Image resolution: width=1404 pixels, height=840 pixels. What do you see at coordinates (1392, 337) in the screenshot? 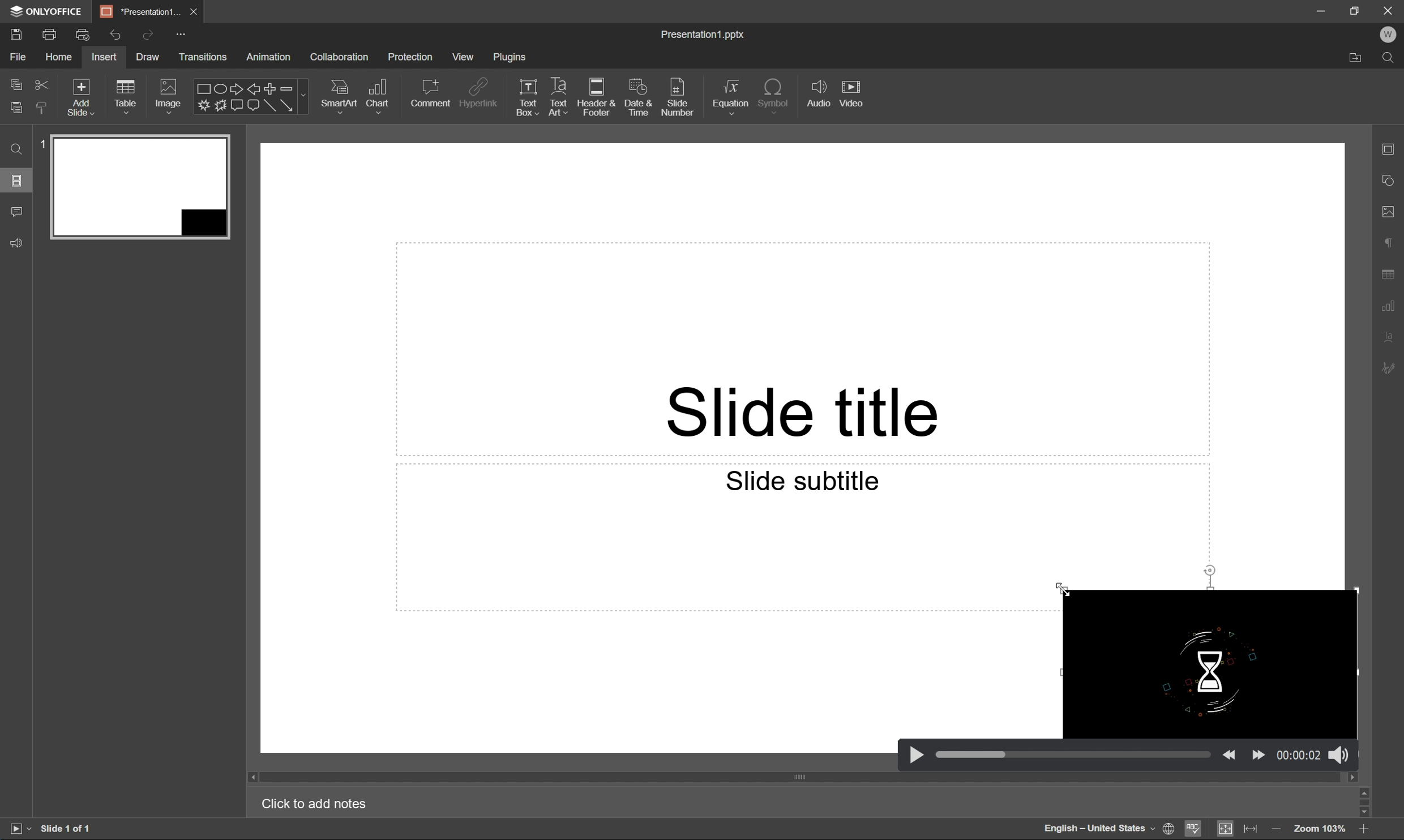
I see `text art settings` at bounding box center [1392, 337].